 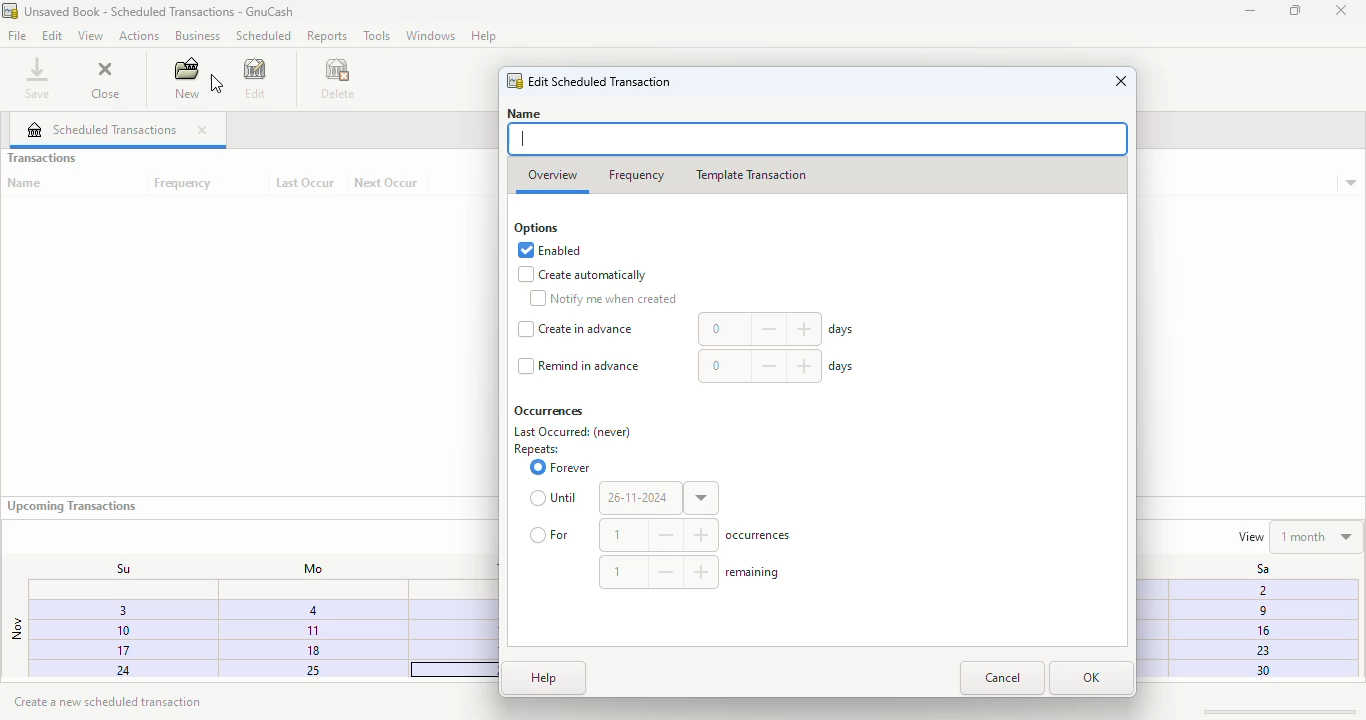 I want to click on 4, so click(x=312, y=609).